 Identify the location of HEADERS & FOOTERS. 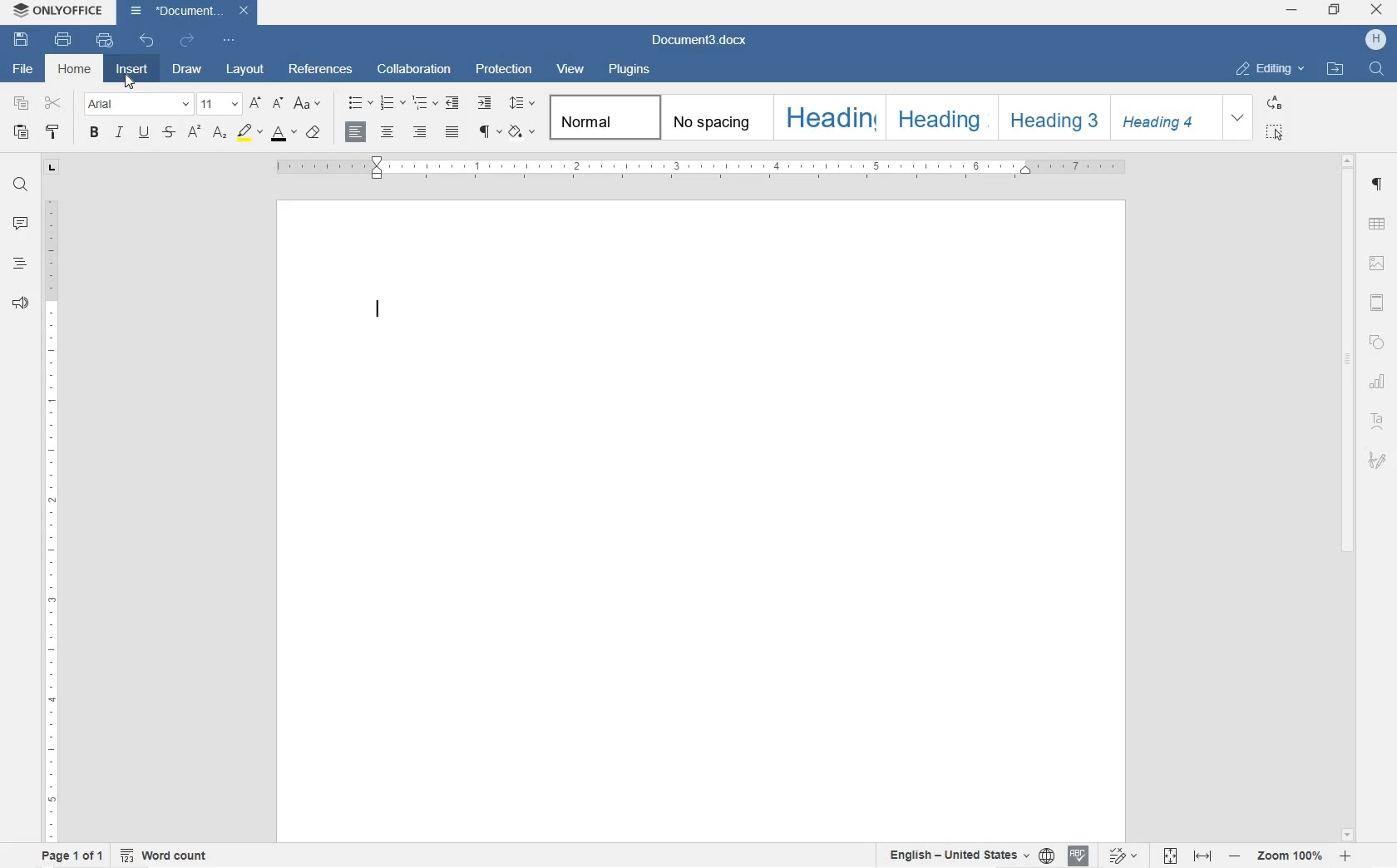
(1378, 304).